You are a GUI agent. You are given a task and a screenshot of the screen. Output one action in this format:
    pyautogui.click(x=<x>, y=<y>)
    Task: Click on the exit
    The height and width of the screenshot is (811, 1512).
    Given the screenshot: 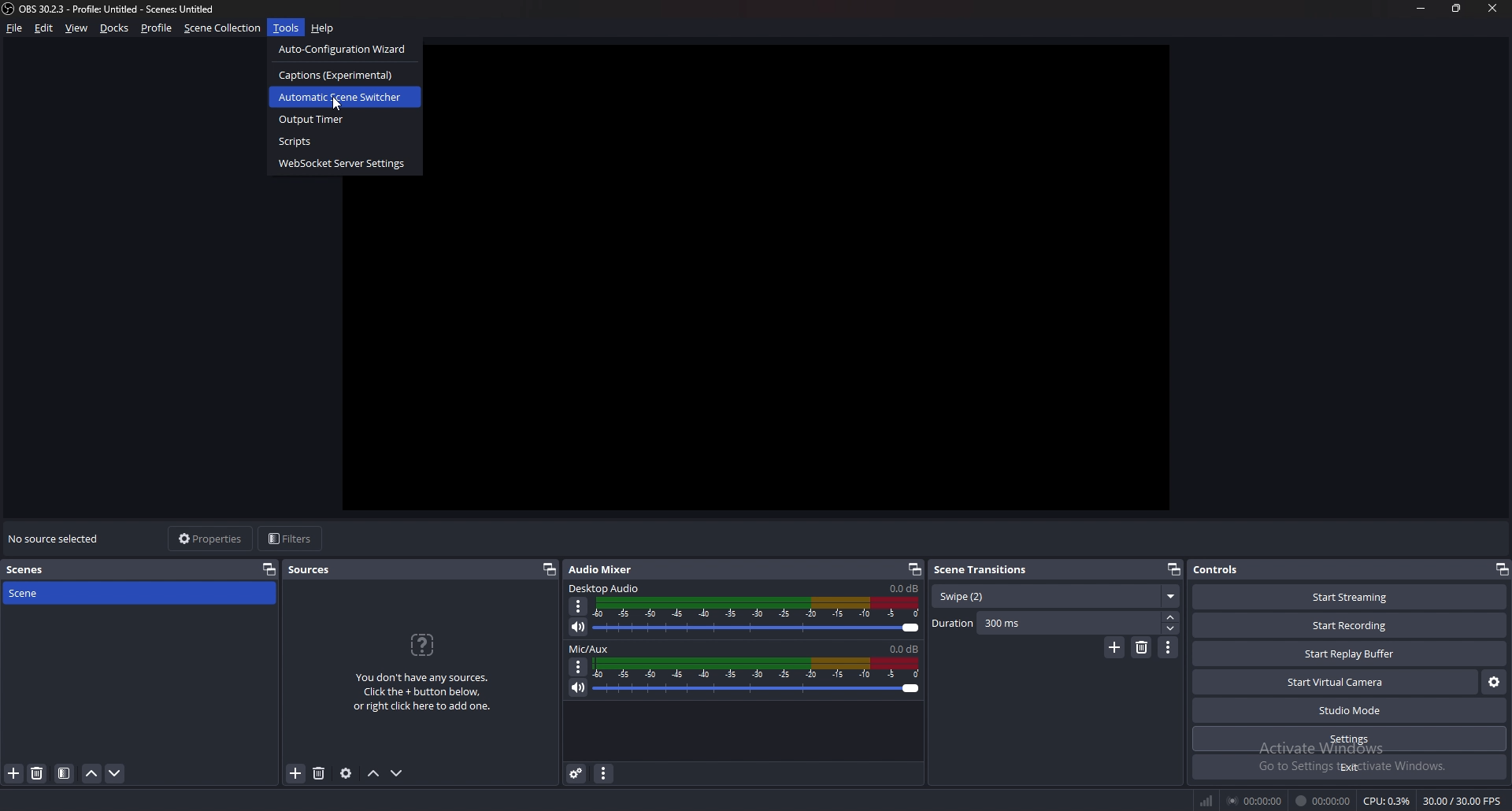 What is the action you would take?
    pyautogui.click(x=1350, y=767)
    